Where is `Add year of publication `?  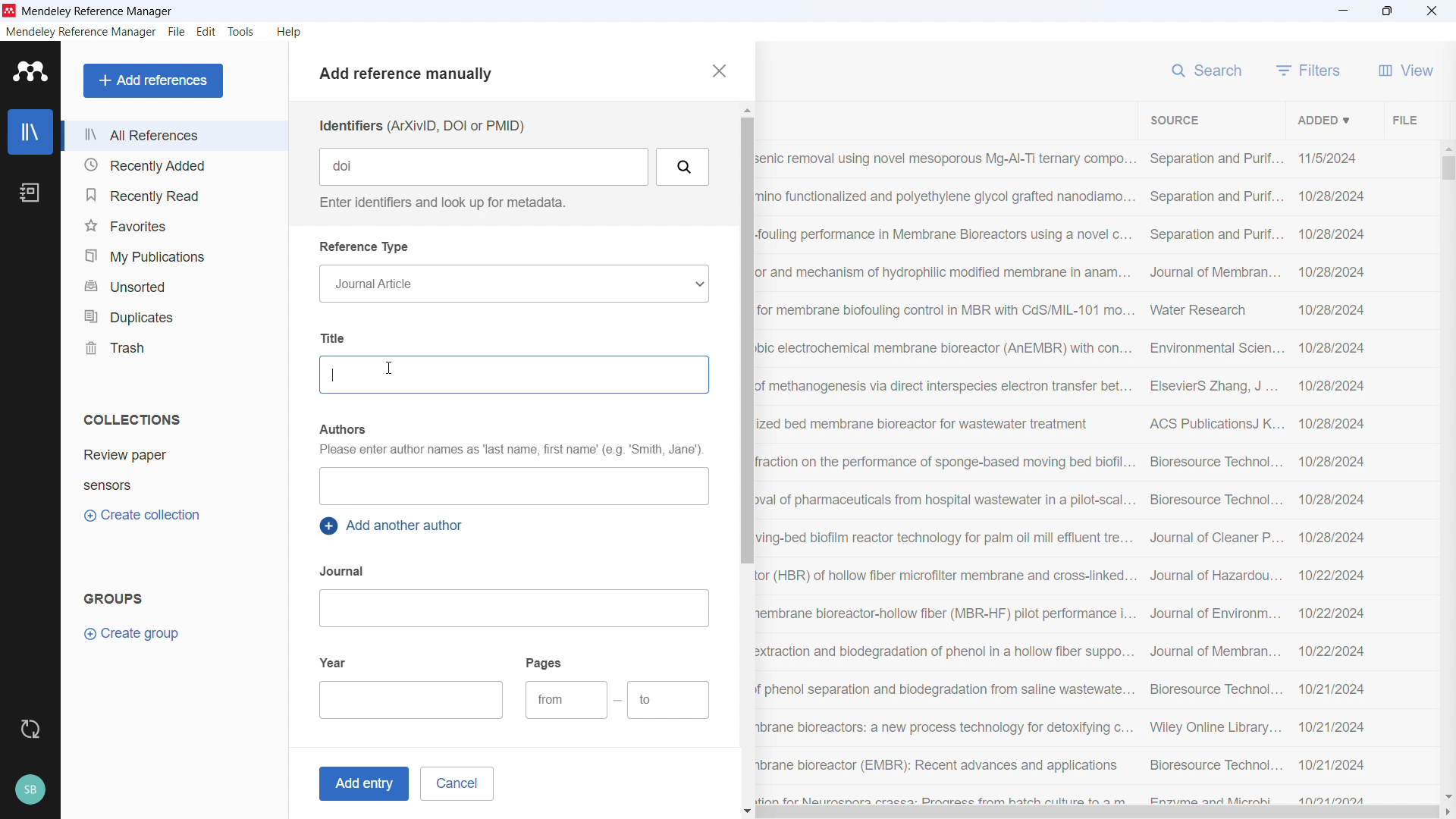 Add year of publication  is located at coordinates (413, 700).